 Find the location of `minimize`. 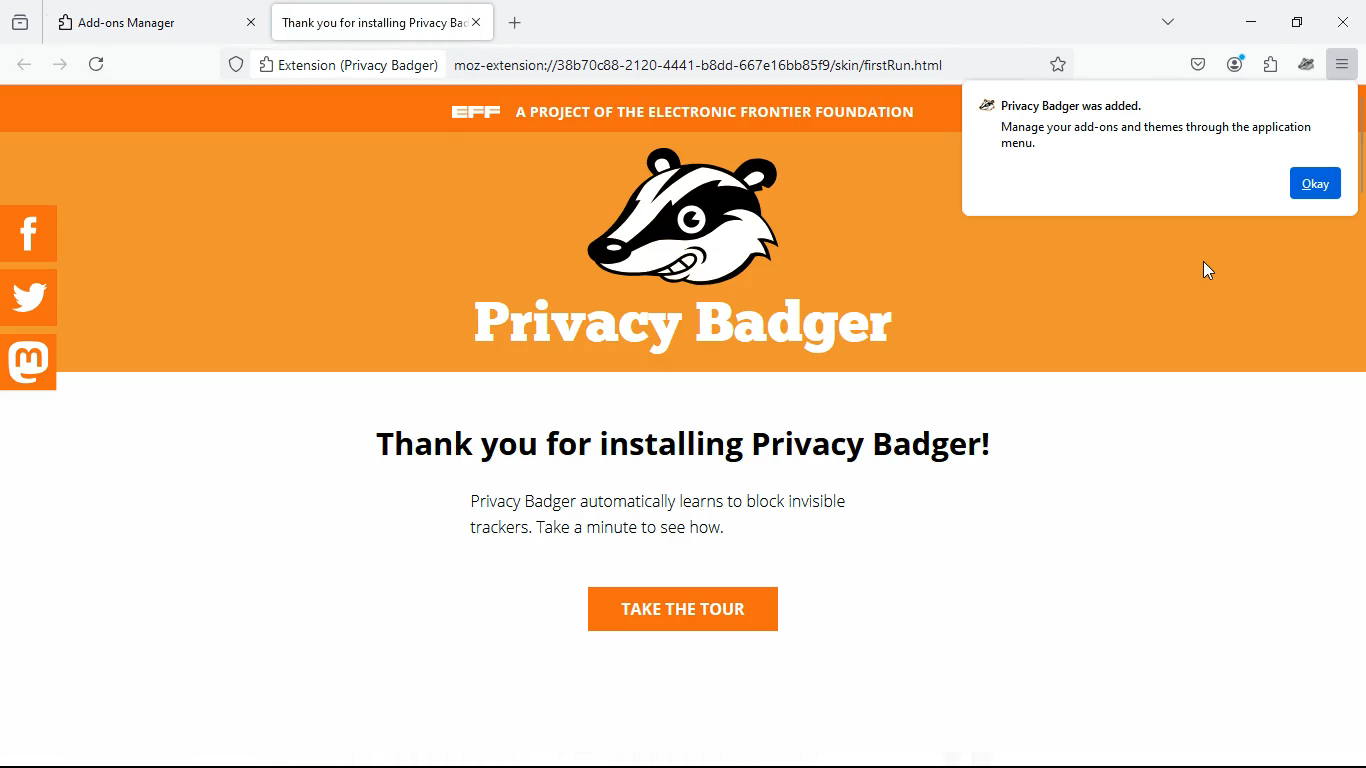

minimize is located at coordinates (1247, 24).